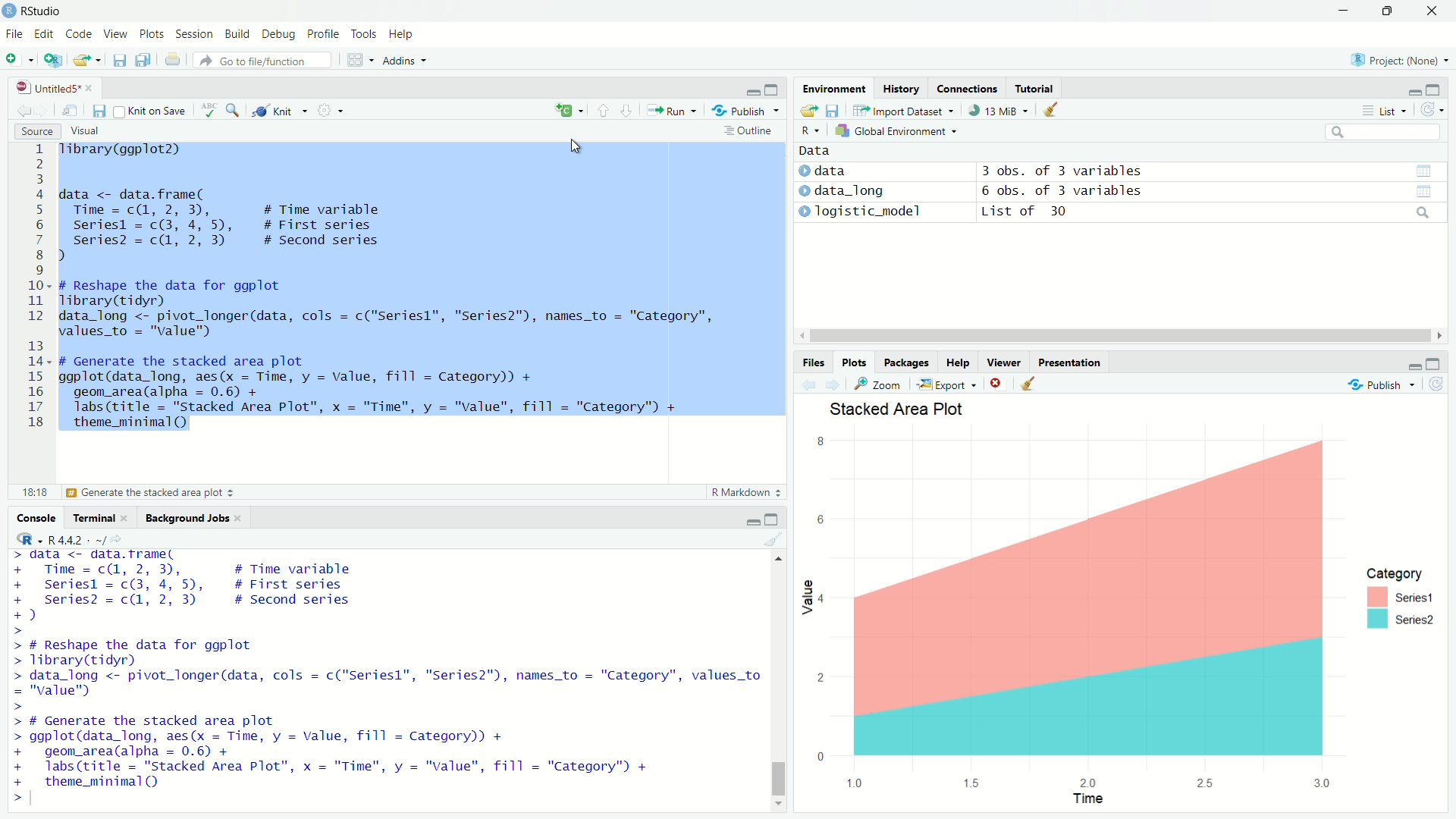 This screenshot has width=1456, height=819. What do you see at coordinates (93, 130) in the screenshot?
I see `Visual` at bounding box center [93, 130].